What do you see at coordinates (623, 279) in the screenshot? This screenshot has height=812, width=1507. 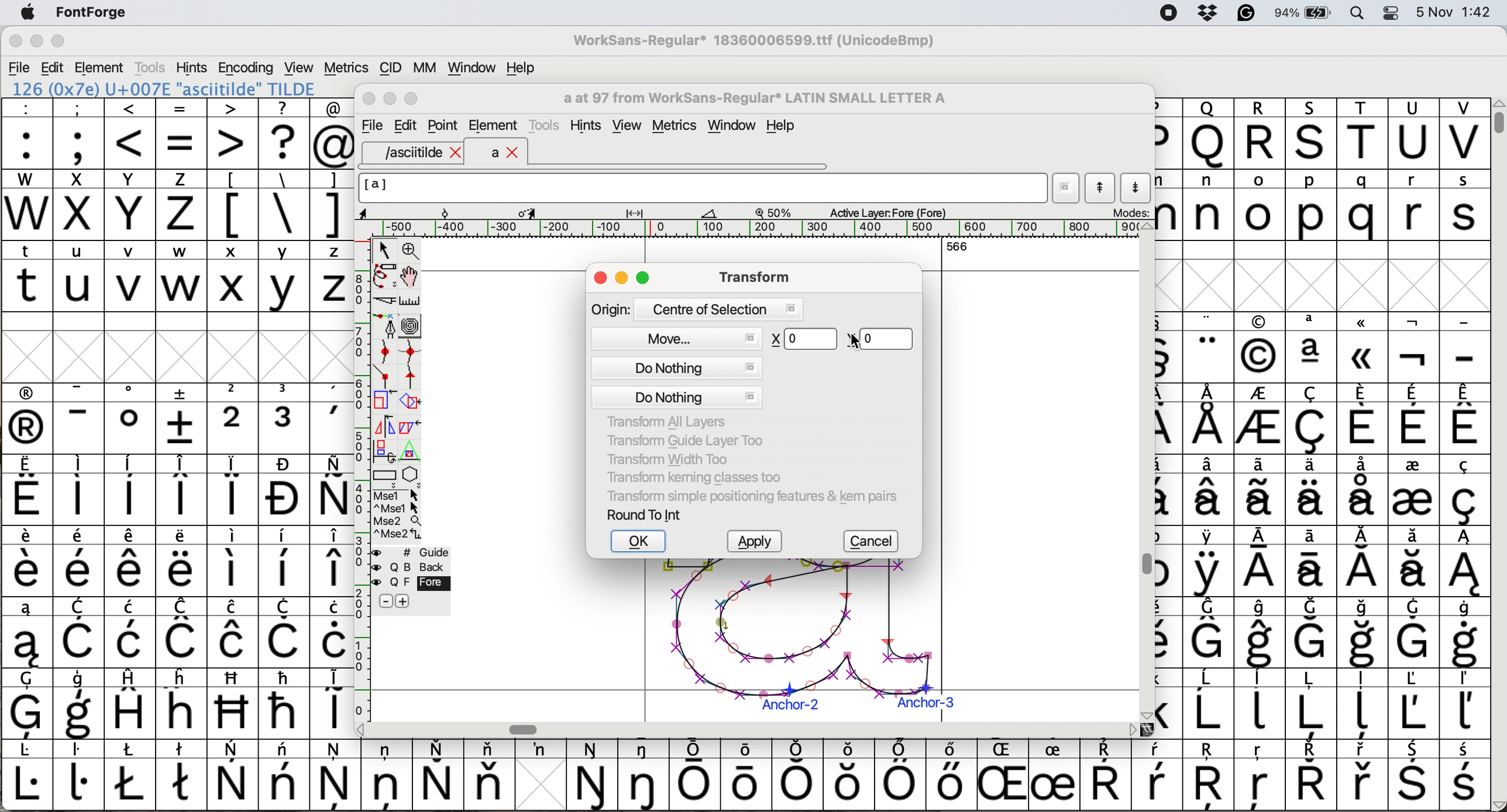 I see `minimise` at bounding box center [623, 279].